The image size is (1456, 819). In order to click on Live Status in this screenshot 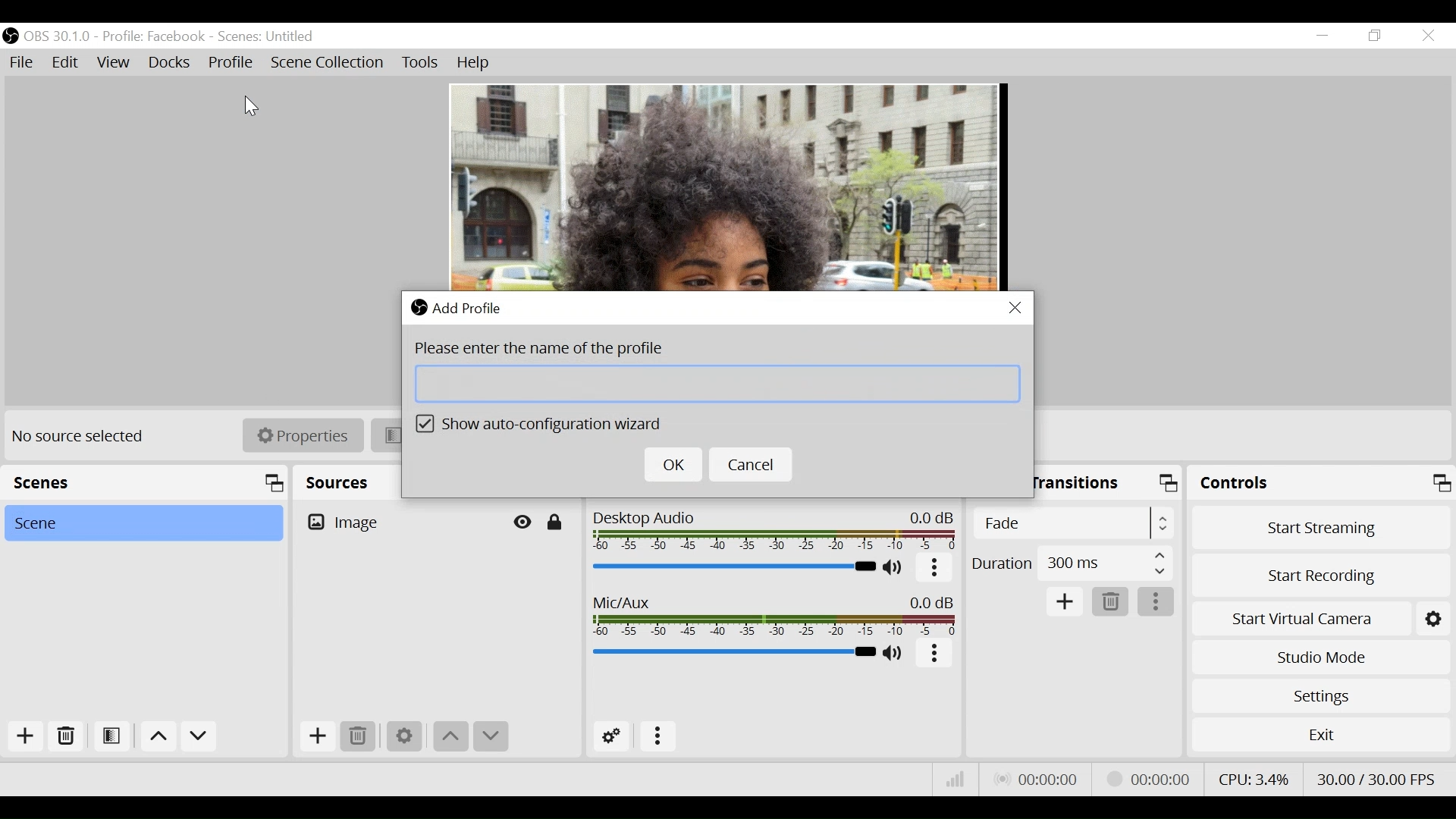, I will do `click(1040, 778)`.